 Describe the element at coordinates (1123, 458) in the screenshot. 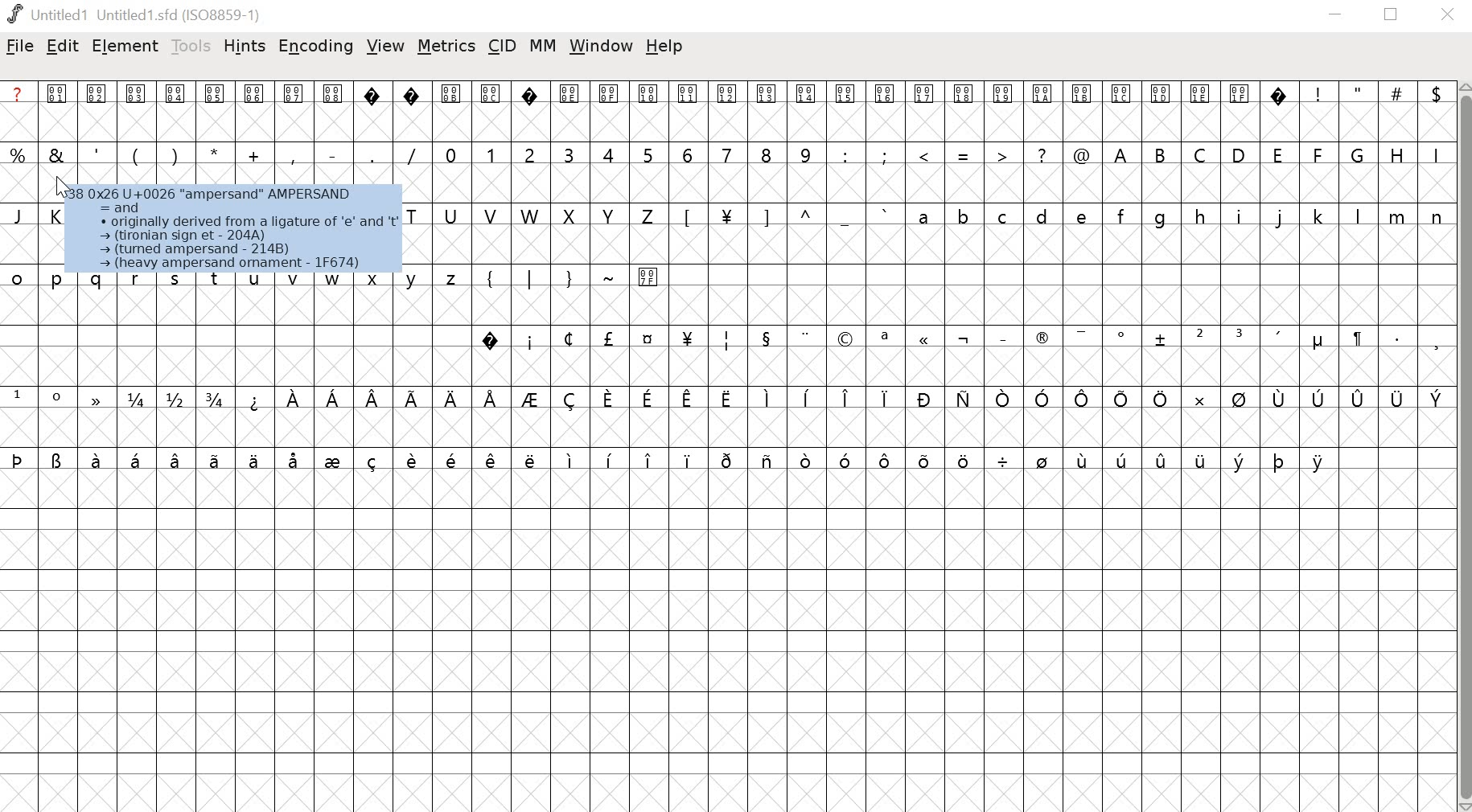

I see `symbol` at that location.